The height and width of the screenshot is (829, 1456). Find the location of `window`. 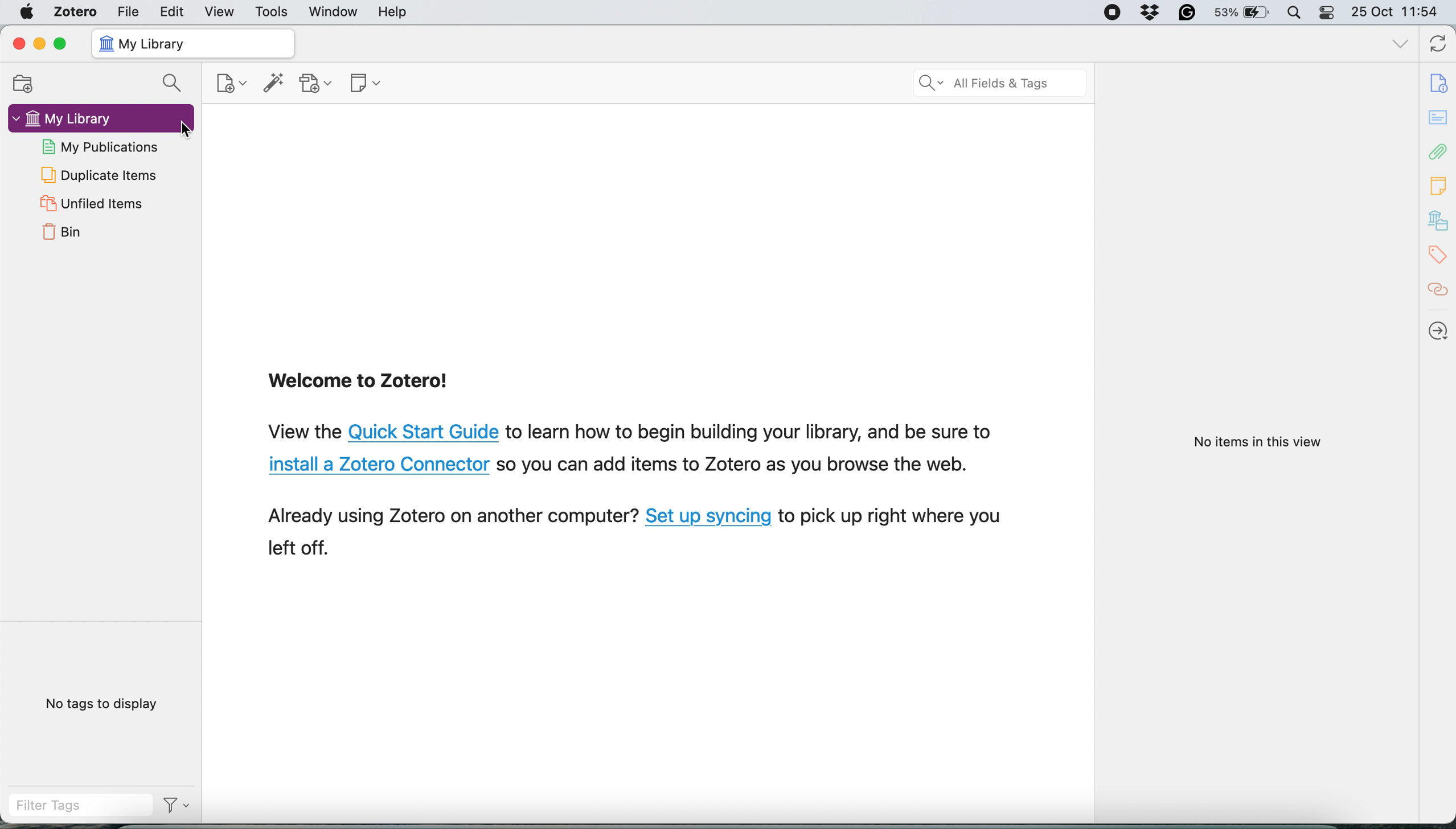

window is located at coordinates (331, 11).